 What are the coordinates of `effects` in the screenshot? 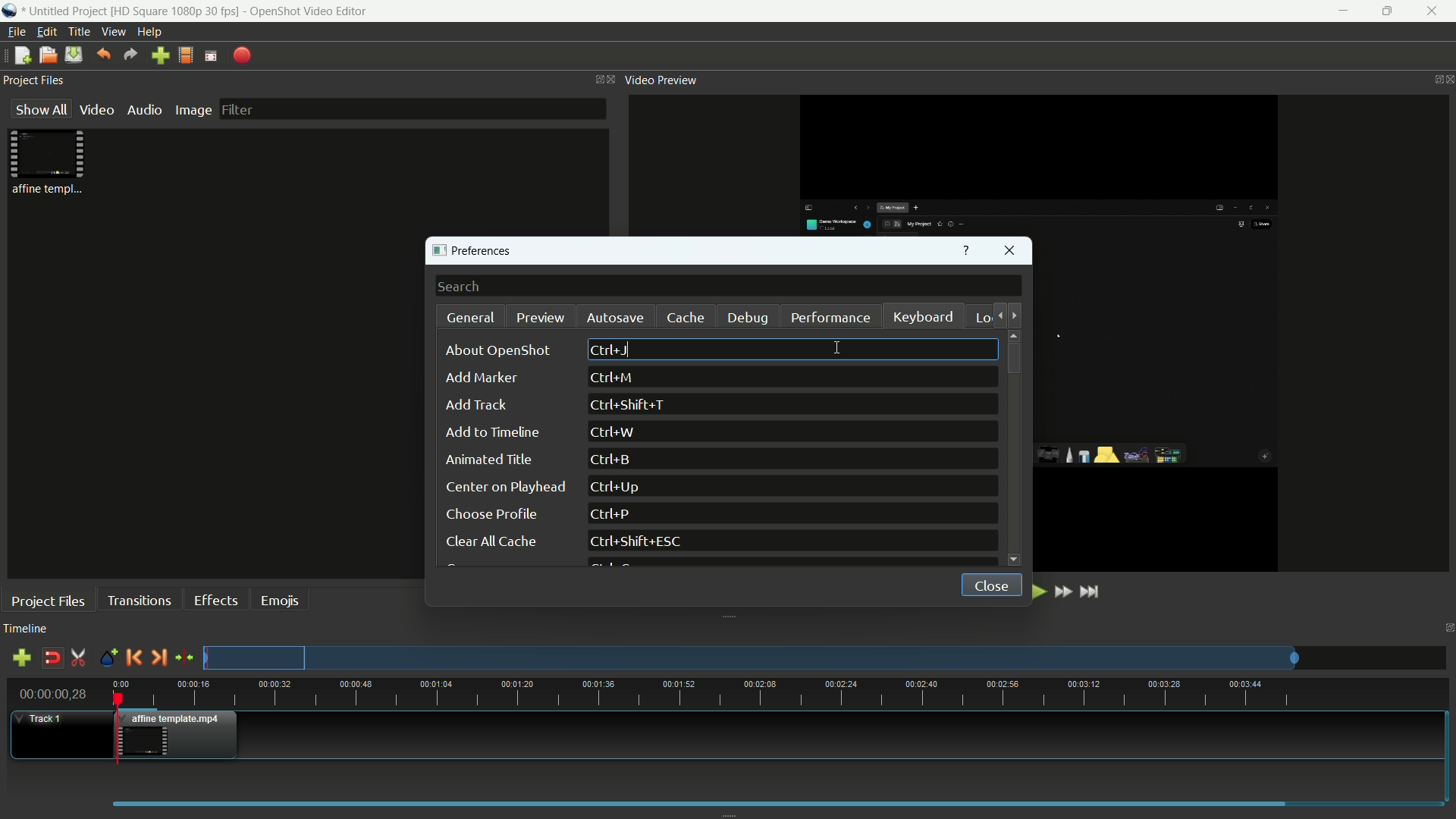 It's located at (218, 600).